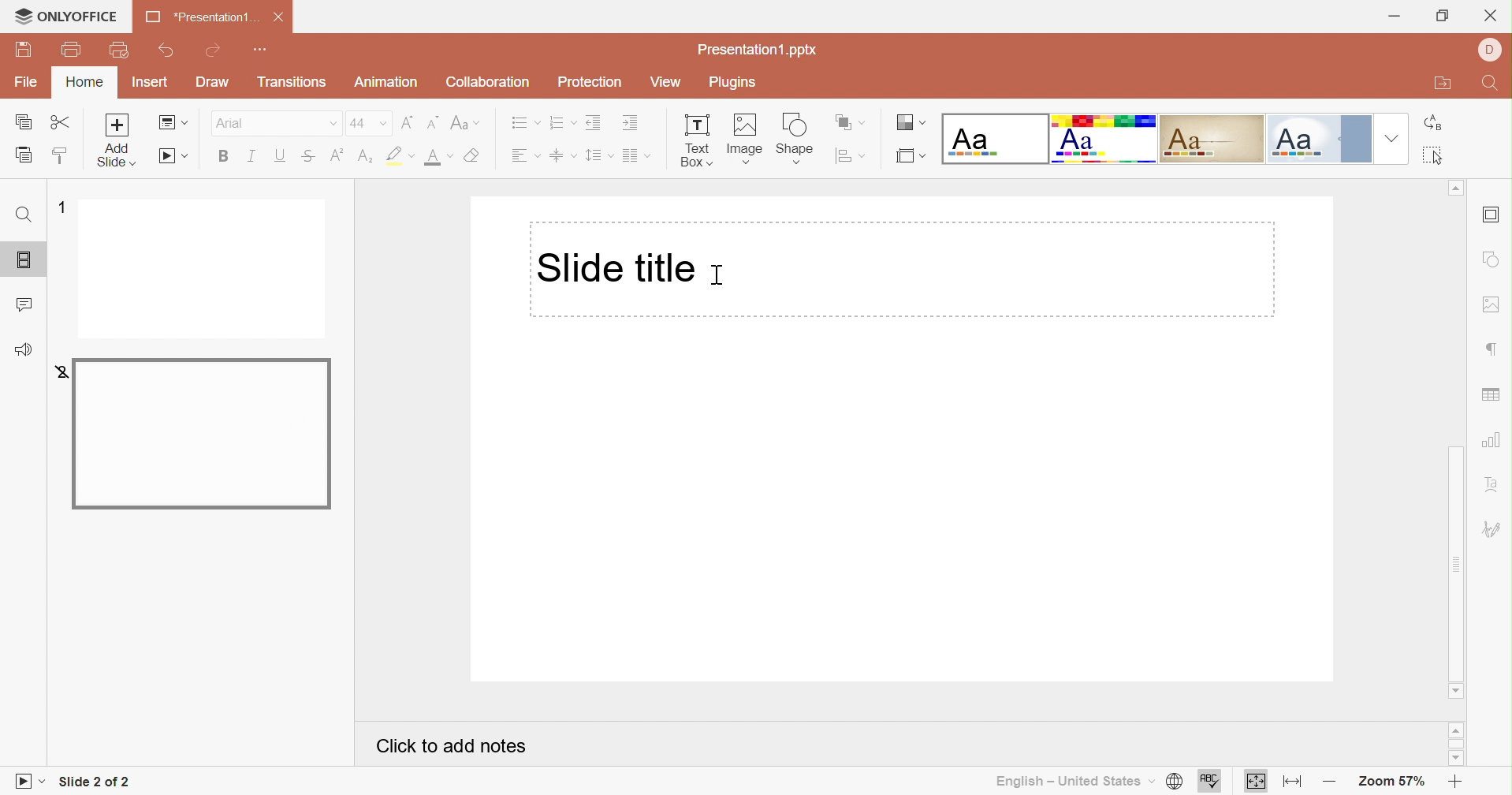 The image size is (1512, 795). Describe the element at coordinates (200, 432) in the screenshot. I see `Hidden slide preview` at that location.